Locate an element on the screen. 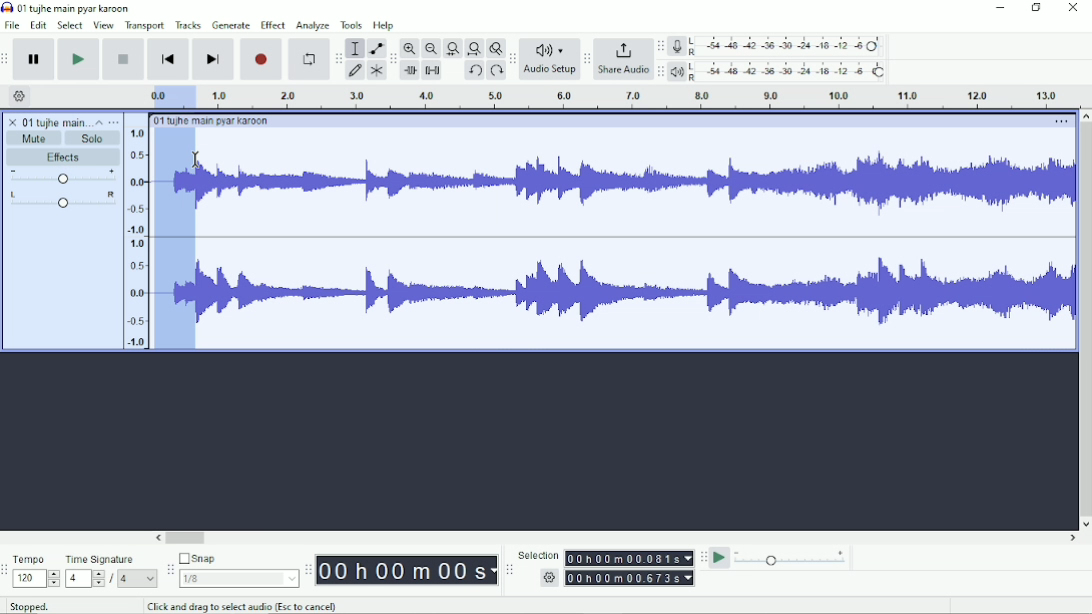  Stop is located at coordinates (125, 58).